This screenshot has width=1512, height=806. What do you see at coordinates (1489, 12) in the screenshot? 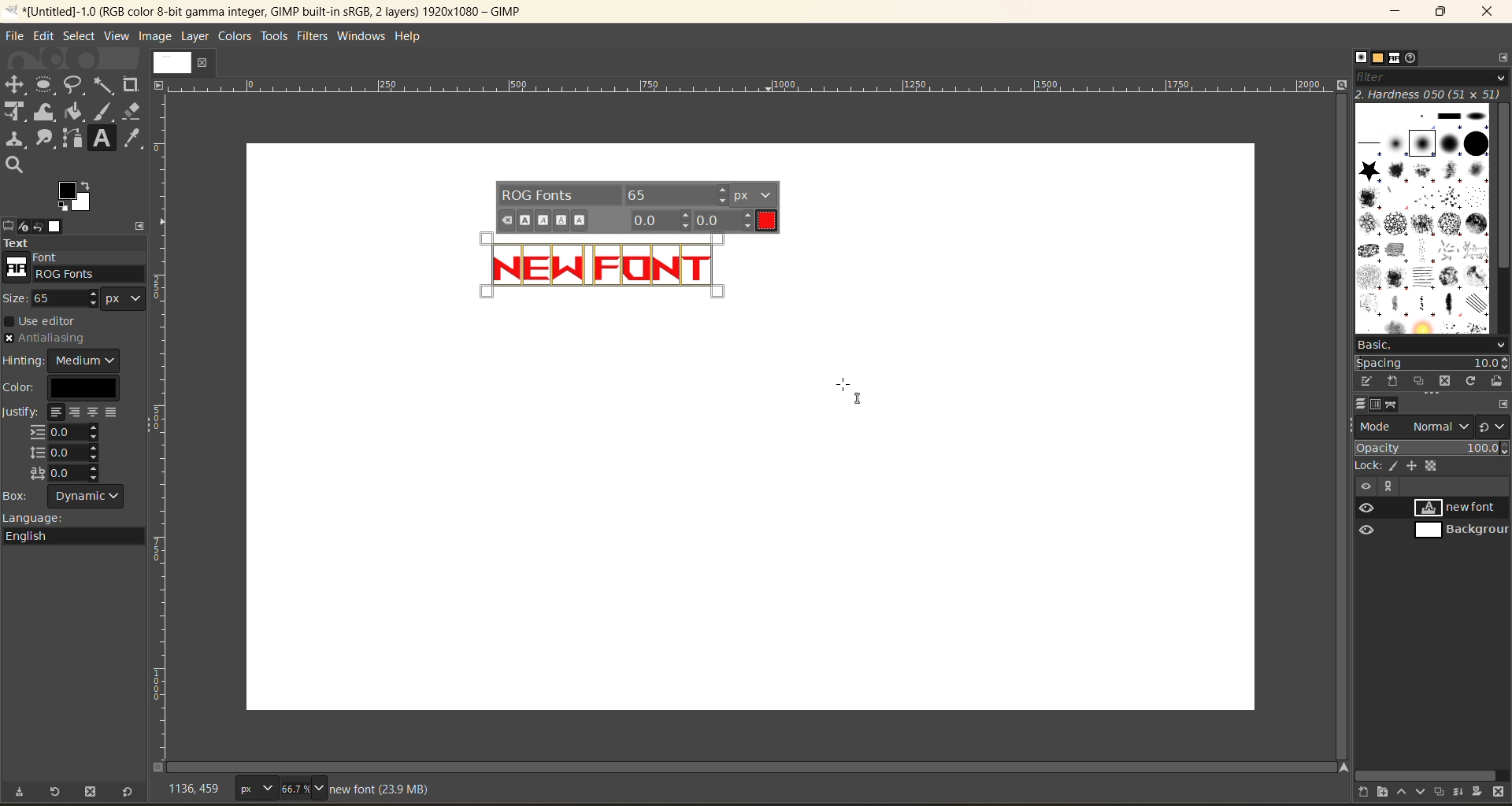
I see `close` at bounding box center [1489, 12].